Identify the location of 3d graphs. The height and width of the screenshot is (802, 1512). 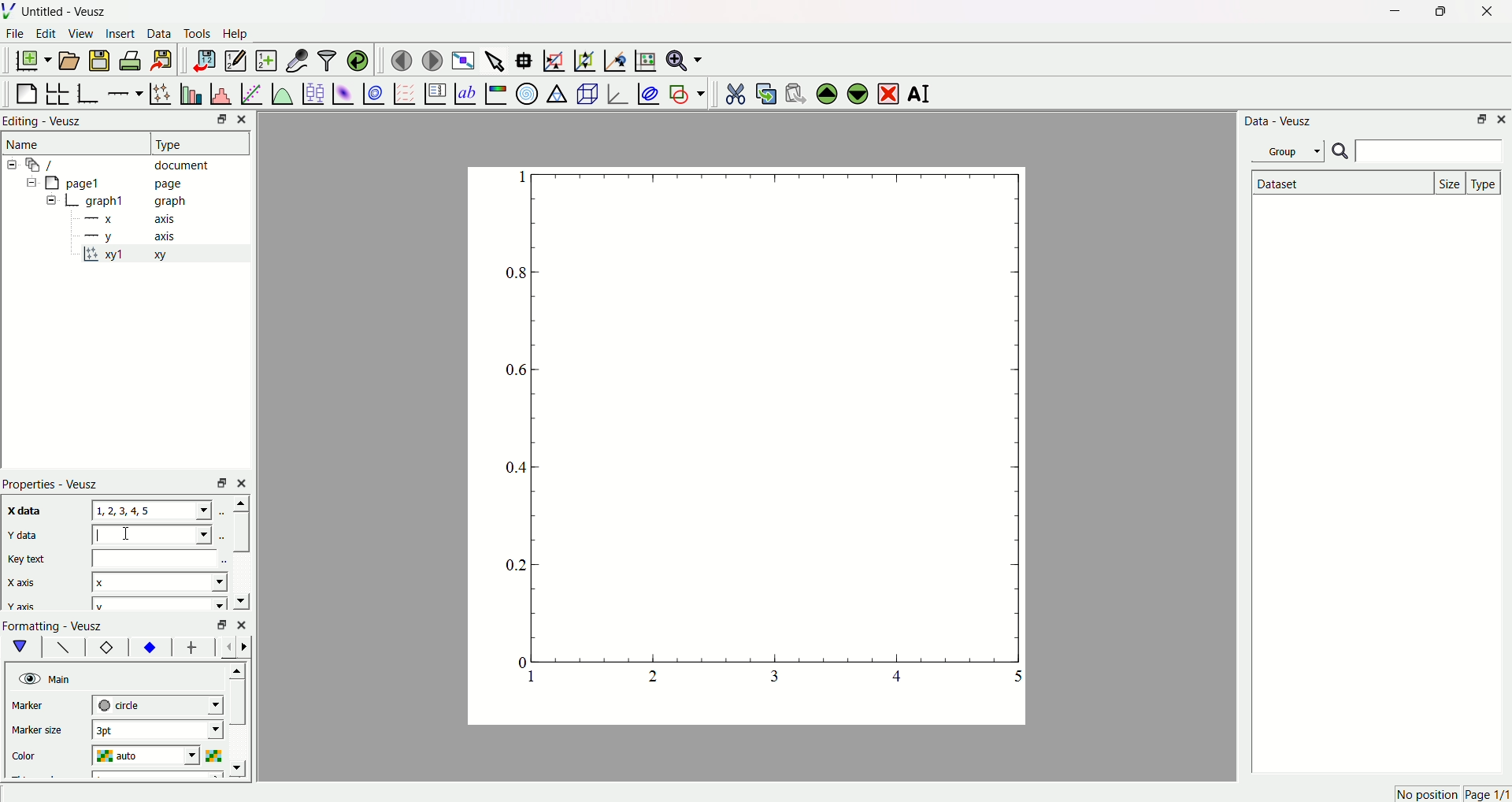
(617, 93).